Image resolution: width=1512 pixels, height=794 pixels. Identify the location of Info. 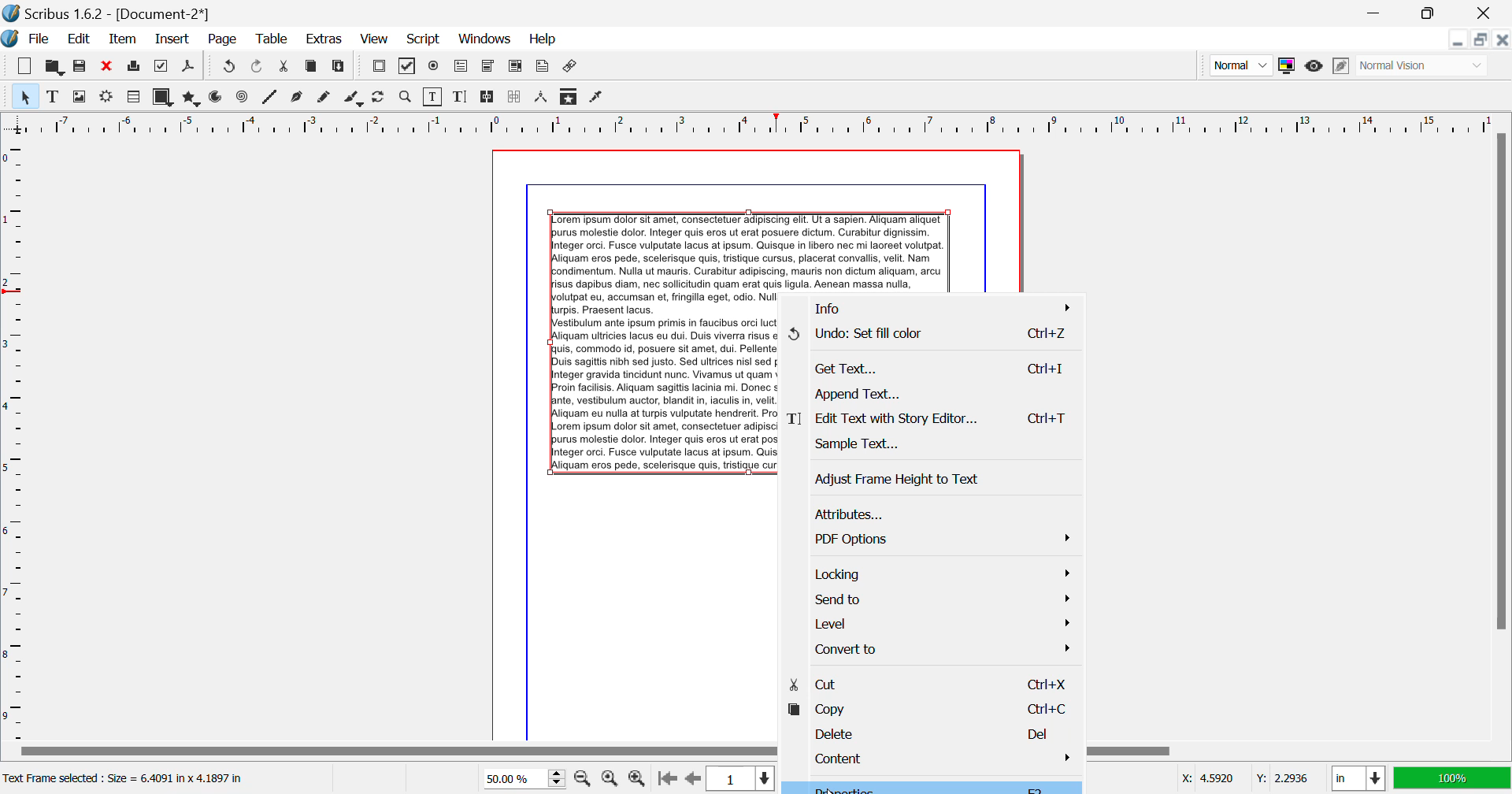
(931, 309).